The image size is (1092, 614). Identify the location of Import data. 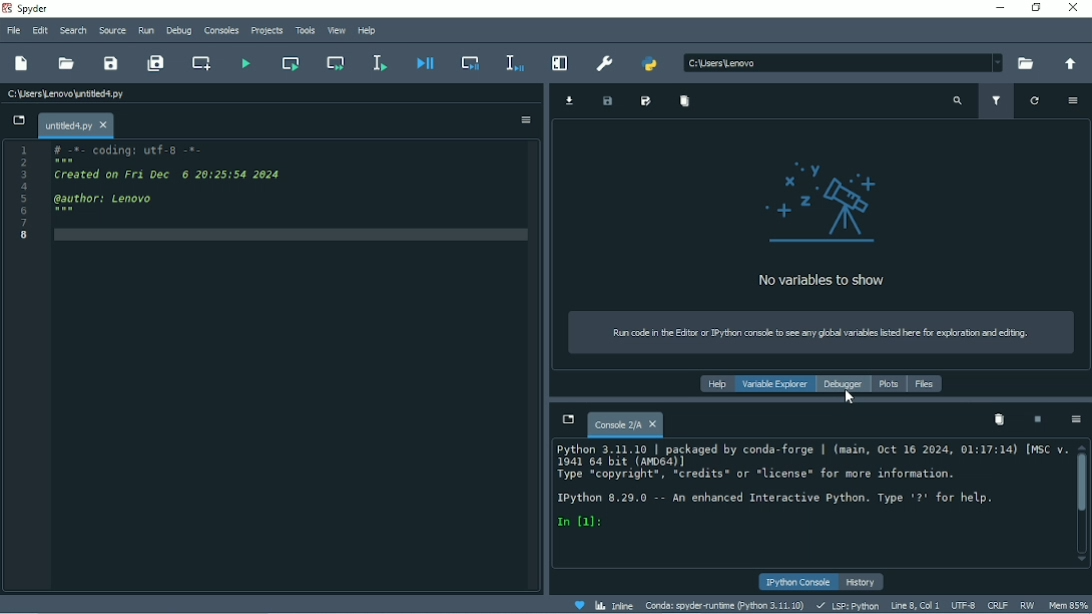
(570, 100).